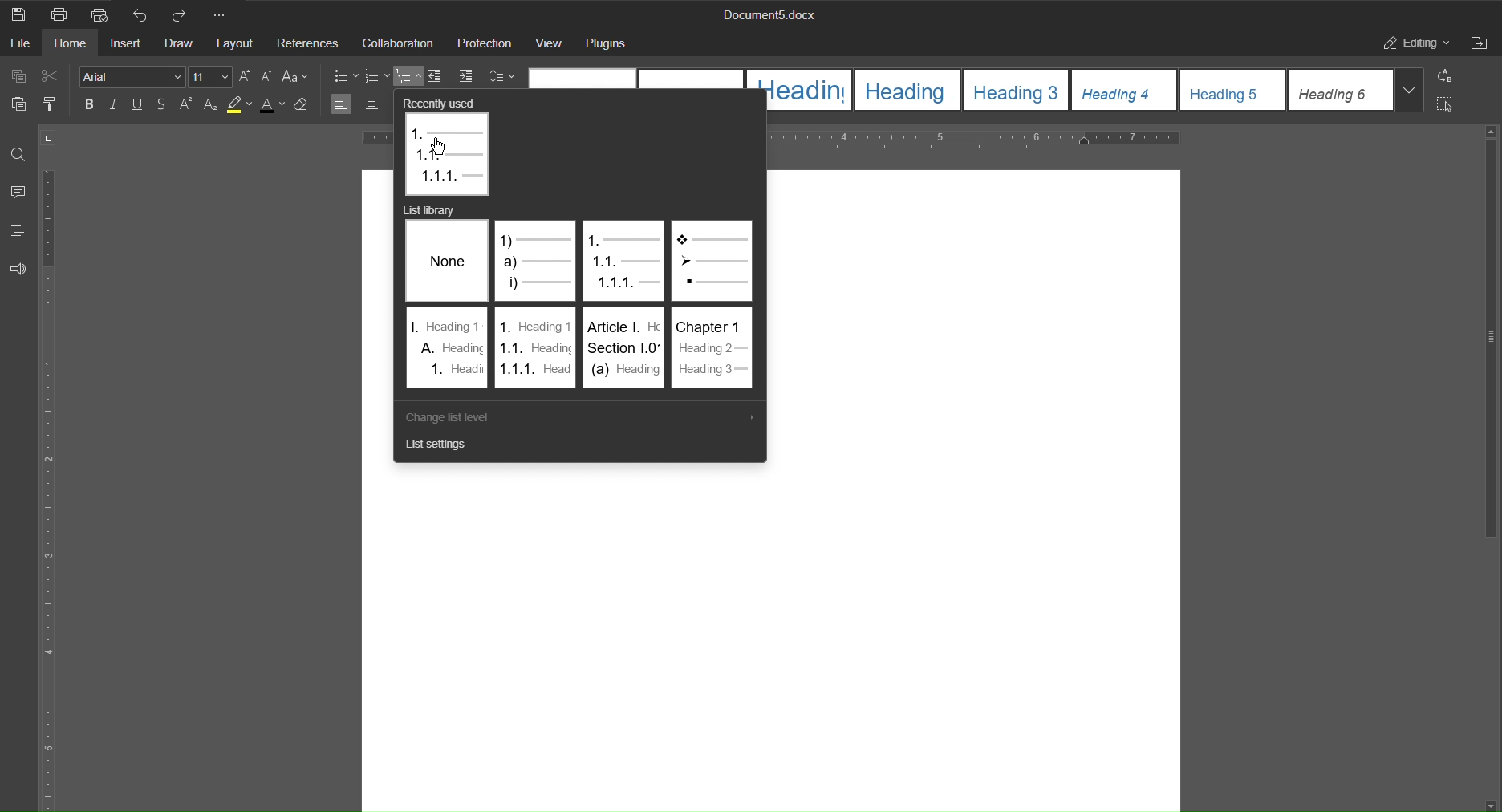  Describe the element at coordinates (18, 267) in the screenshot. I see `Feedback and Support` at that location.